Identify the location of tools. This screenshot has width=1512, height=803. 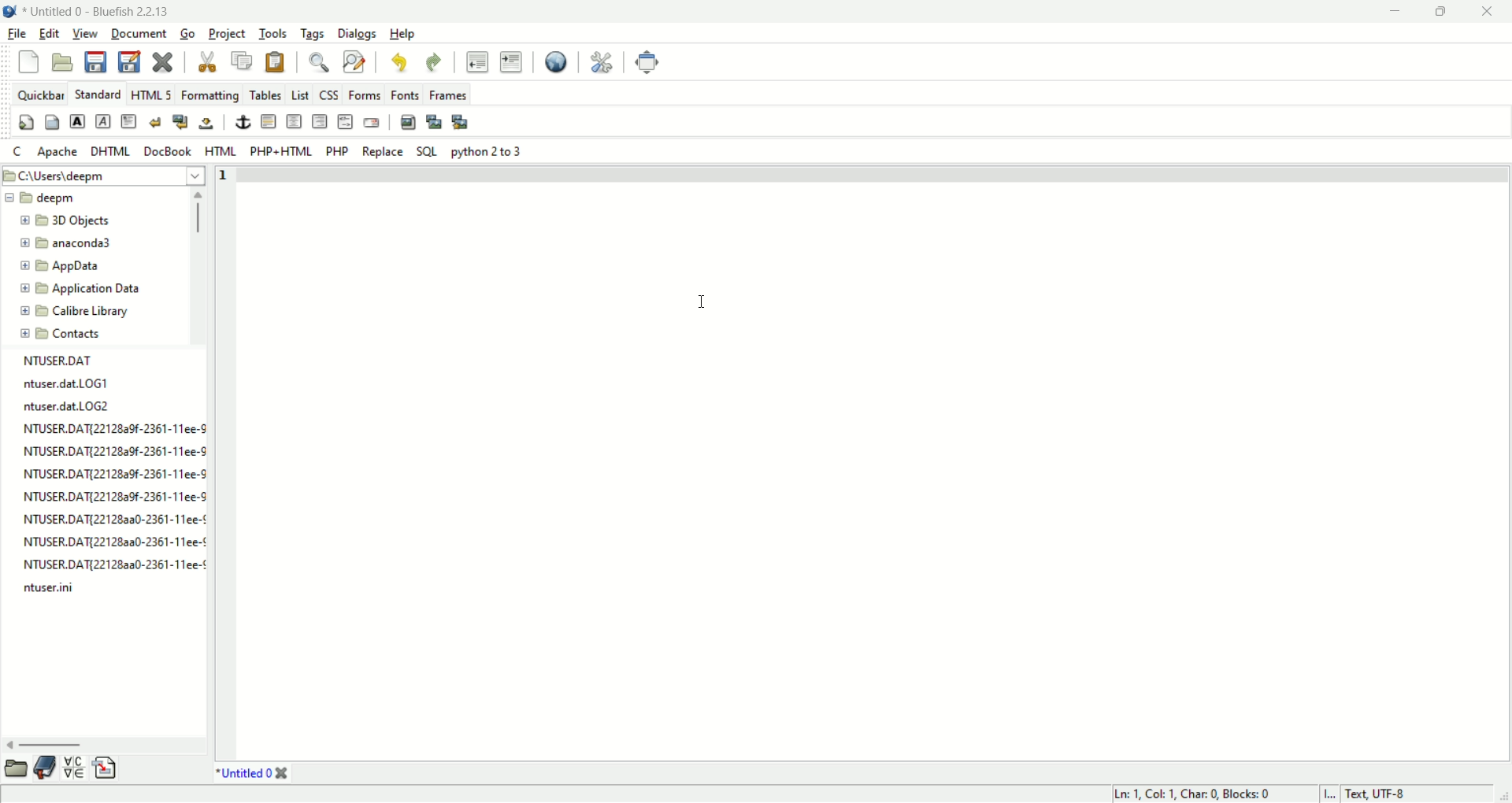
(275, 35).